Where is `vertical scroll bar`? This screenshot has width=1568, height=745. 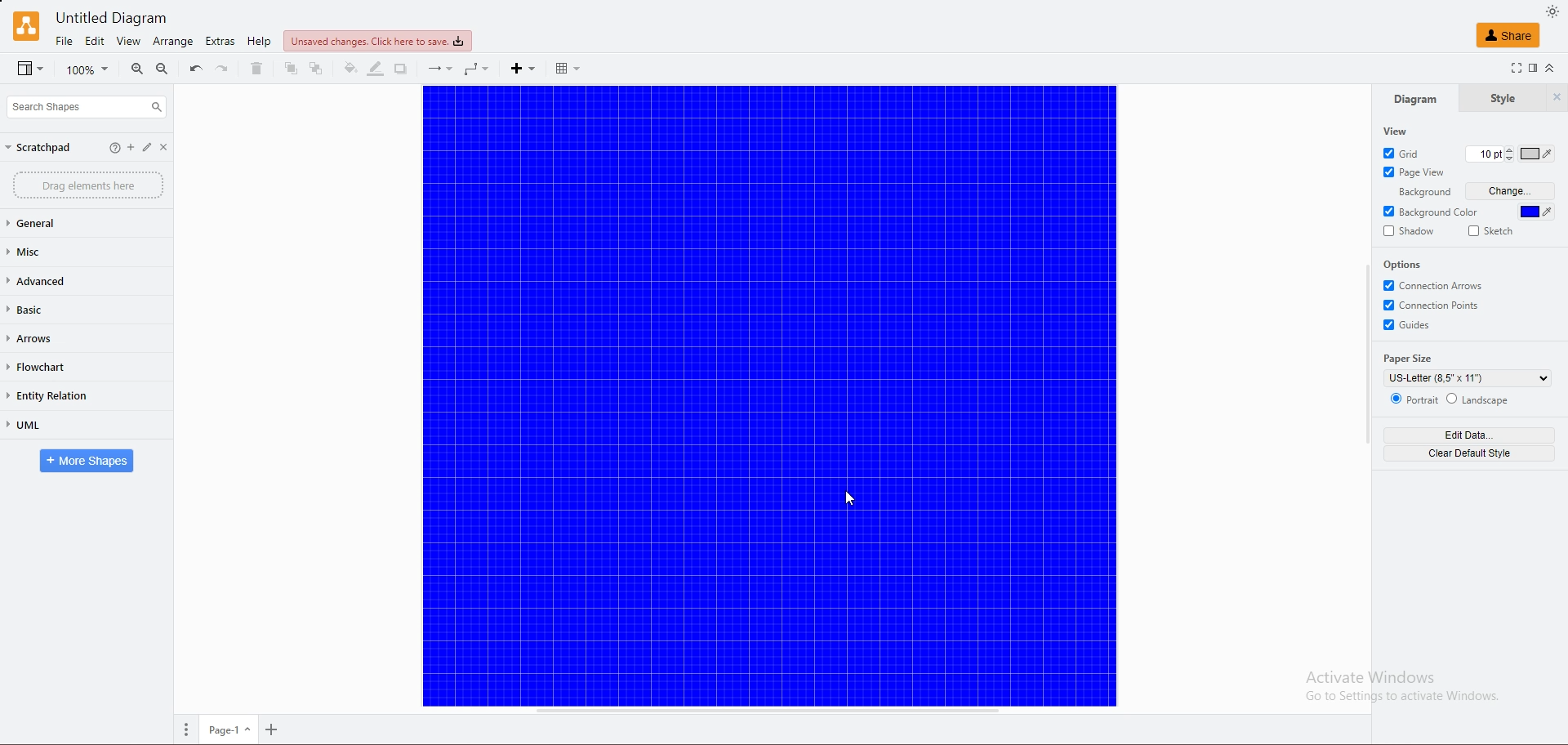 vertical scroll bar is located at coordinates (1368, 354).